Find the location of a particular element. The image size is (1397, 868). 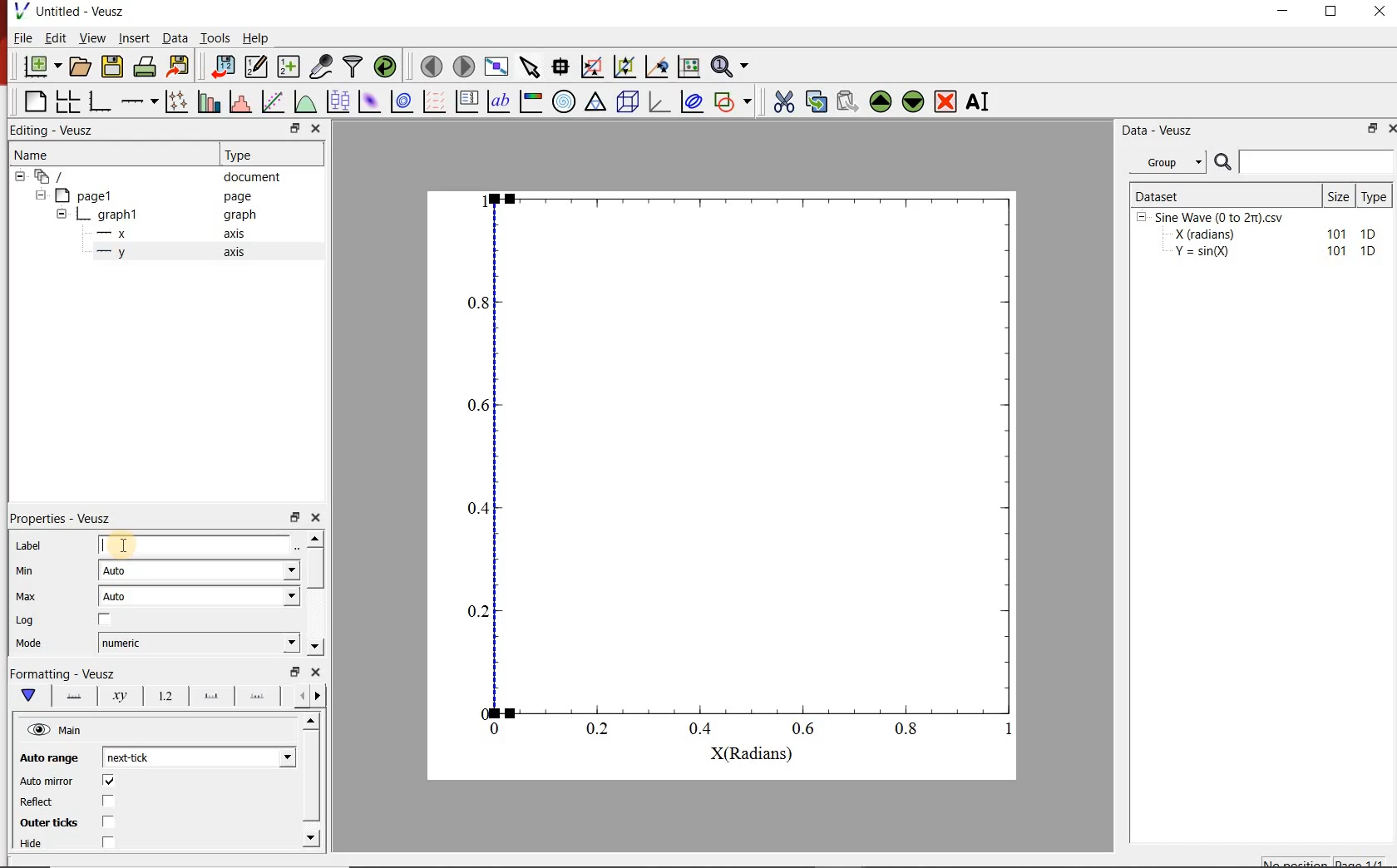

Ternary Graph is located at coordinates (596, 101).